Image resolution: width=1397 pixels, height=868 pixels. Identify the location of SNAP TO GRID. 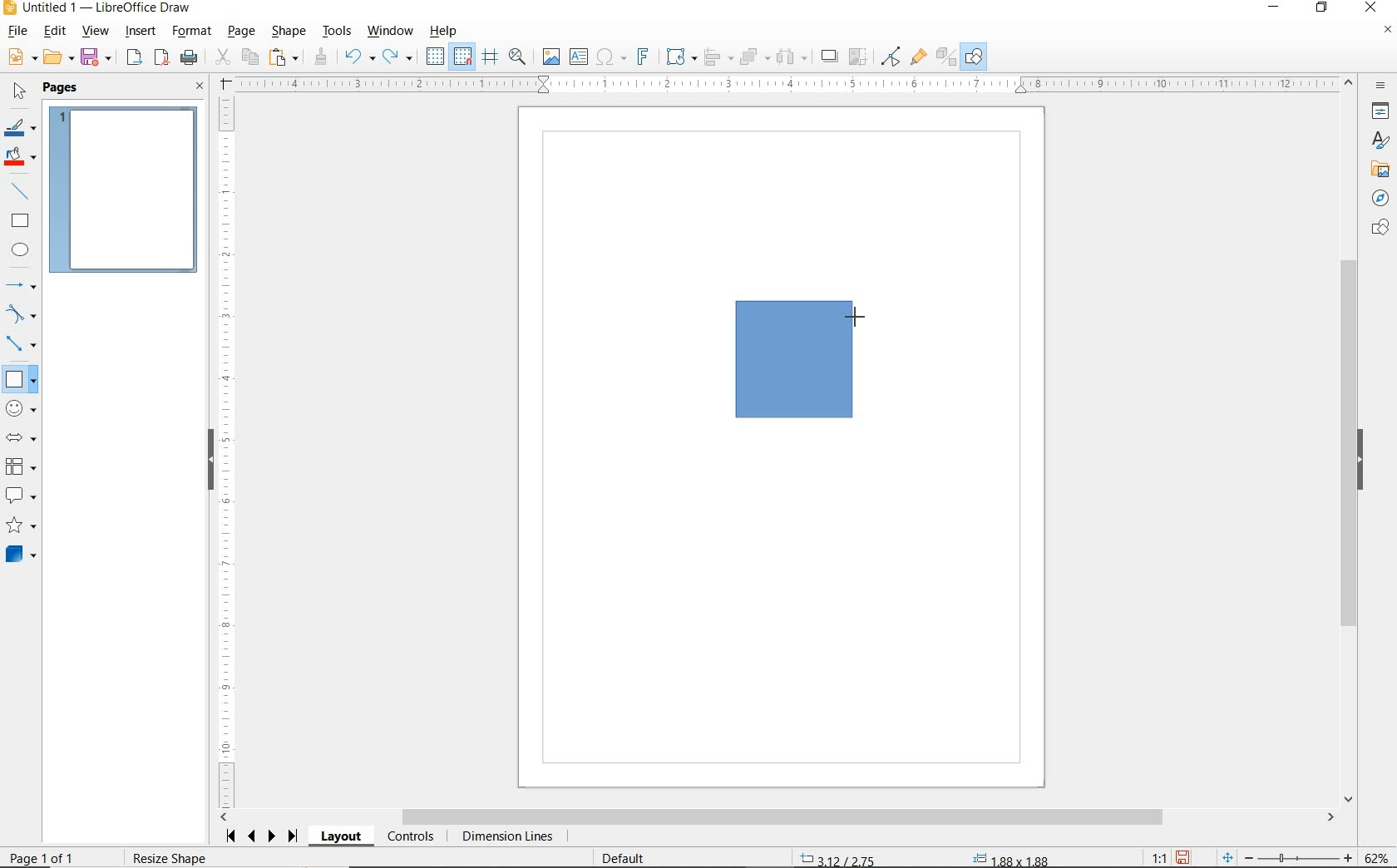
(463, 57).